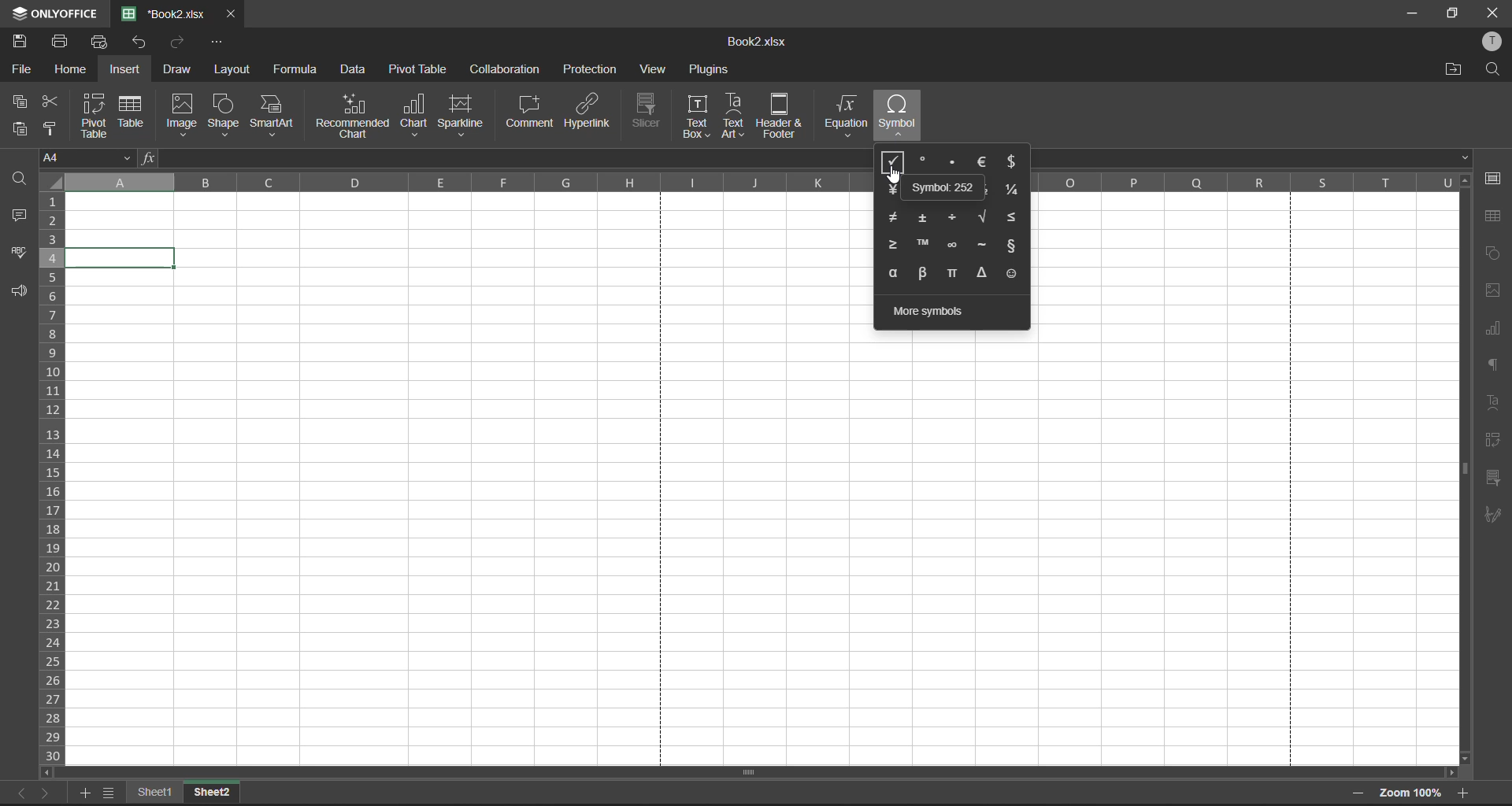  What do you see at coordinates (1466, 183) in the screenshot?
I see `scroll up` at bounding box center [1466, 183].